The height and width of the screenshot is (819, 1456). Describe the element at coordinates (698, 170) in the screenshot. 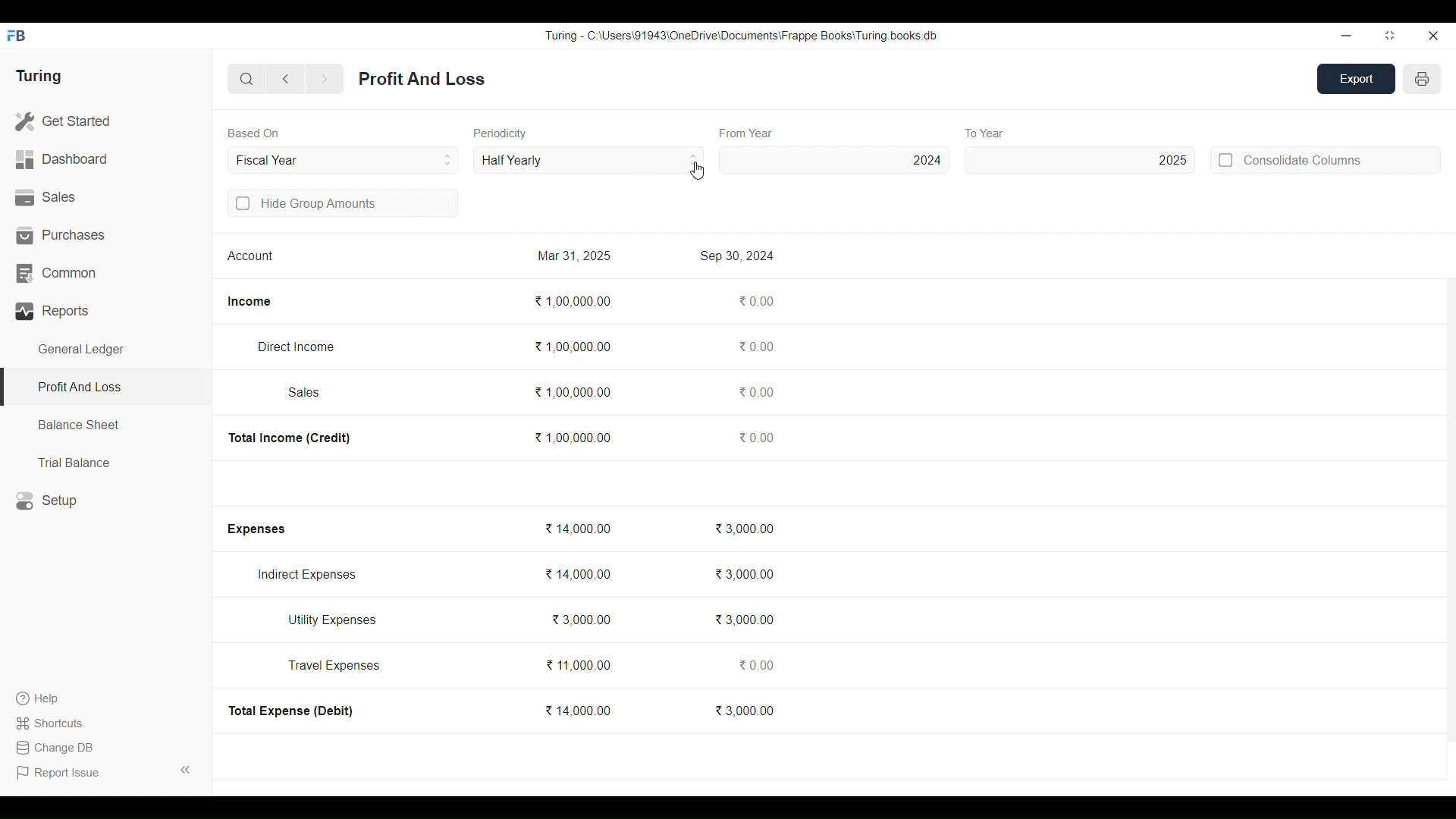

I see `Cursor` at that location.